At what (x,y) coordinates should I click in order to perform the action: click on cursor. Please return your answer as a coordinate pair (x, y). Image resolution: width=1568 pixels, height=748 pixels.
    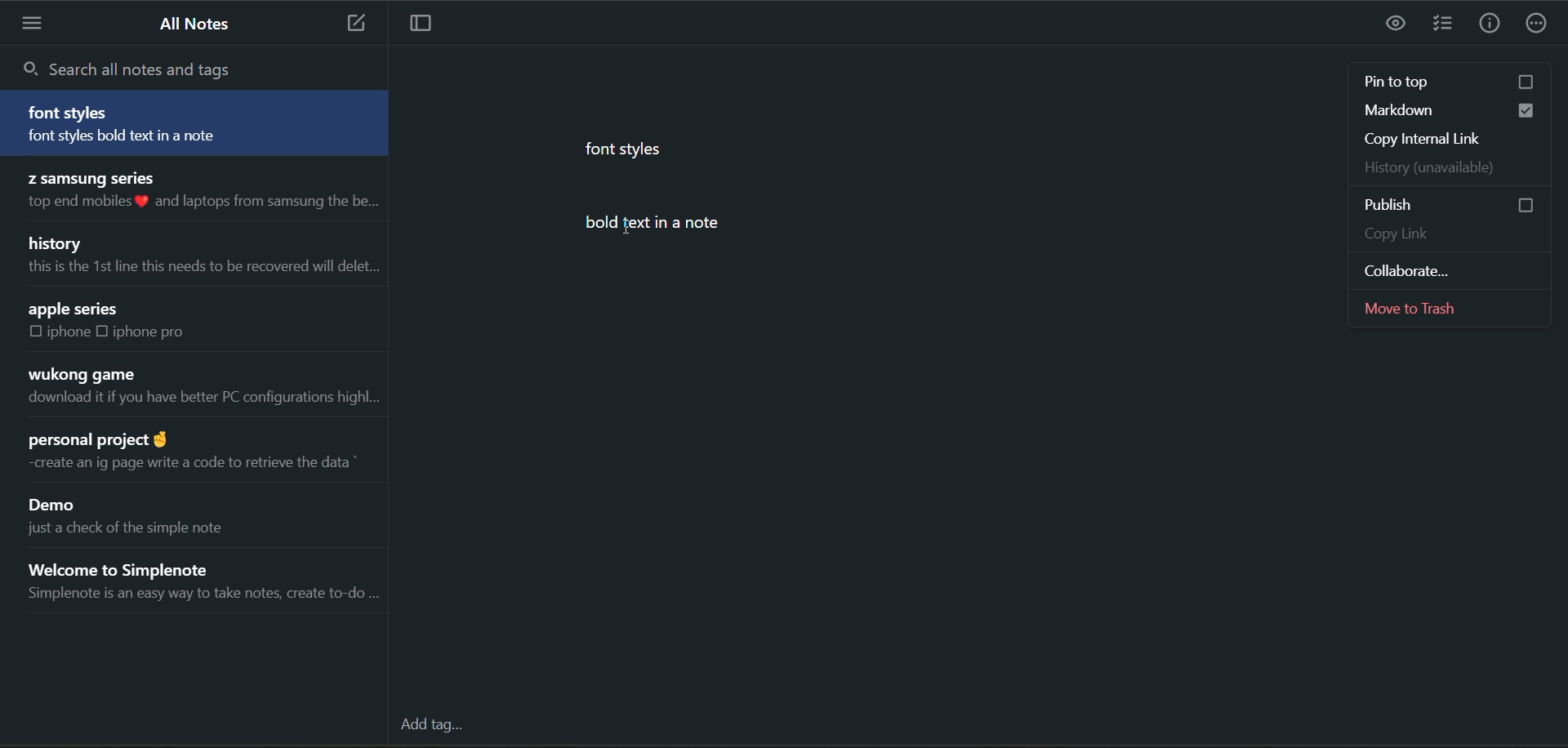
    Looking at the image, I should click on (628, 227).